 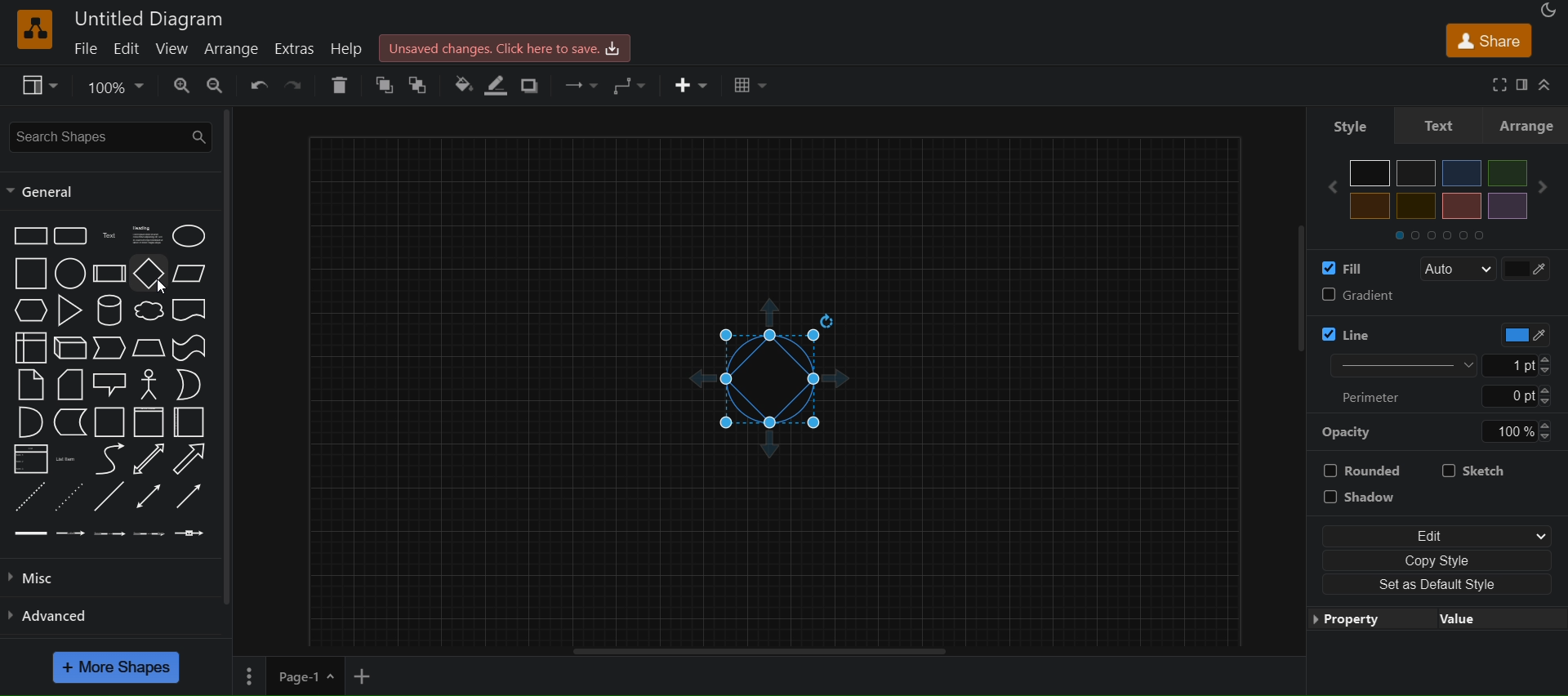 I want to click on misc, so click(x=51, y=578).